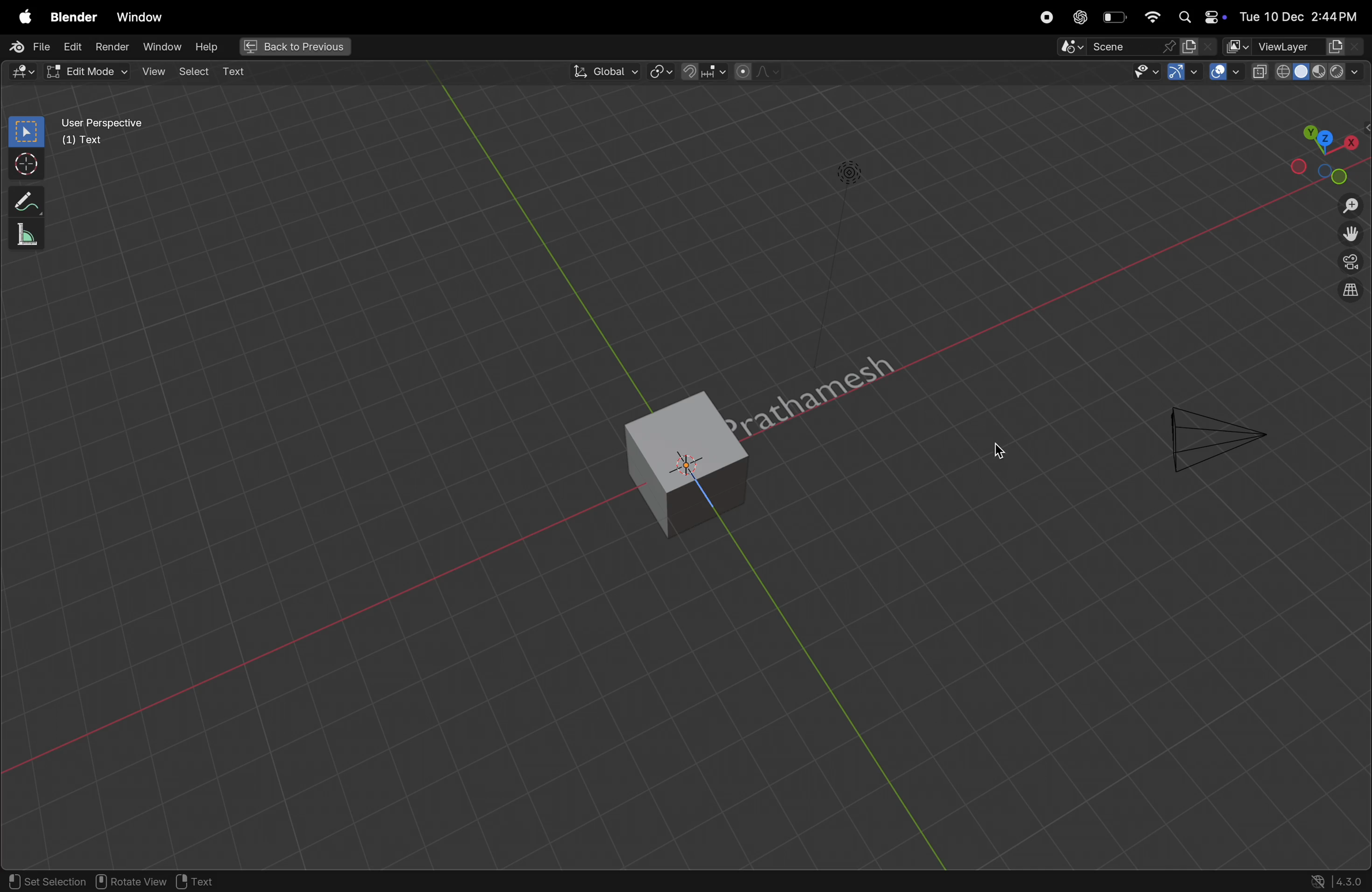 The height and width of the screenshot is (892, 1372). I want to click on proportional editing objects, so click(758, 73).